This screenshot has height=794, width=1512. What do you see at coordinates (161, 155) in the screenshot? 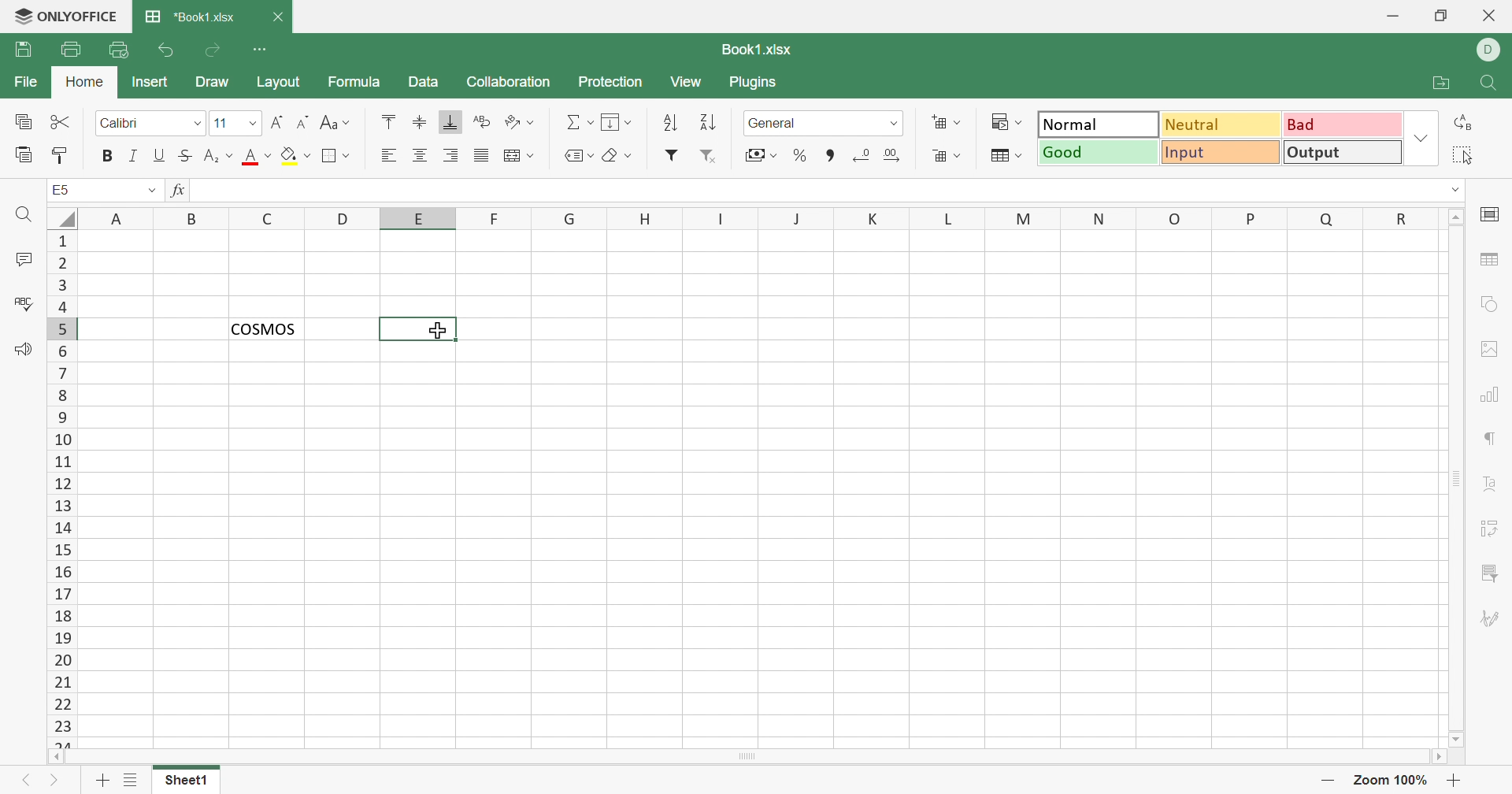
I see `Underline` at bounding box center [161, 155].